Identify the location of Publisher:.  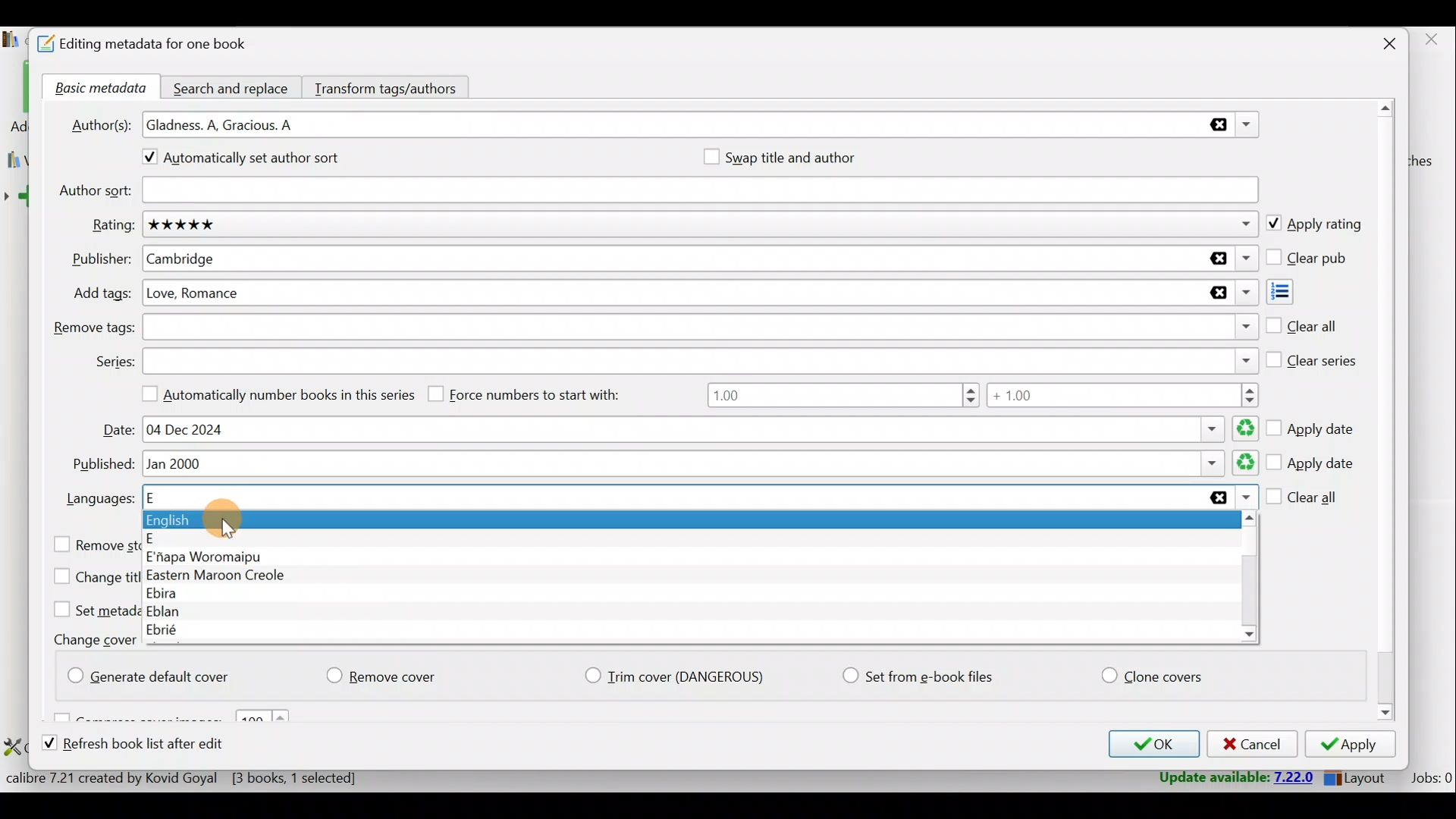
(102, 259).